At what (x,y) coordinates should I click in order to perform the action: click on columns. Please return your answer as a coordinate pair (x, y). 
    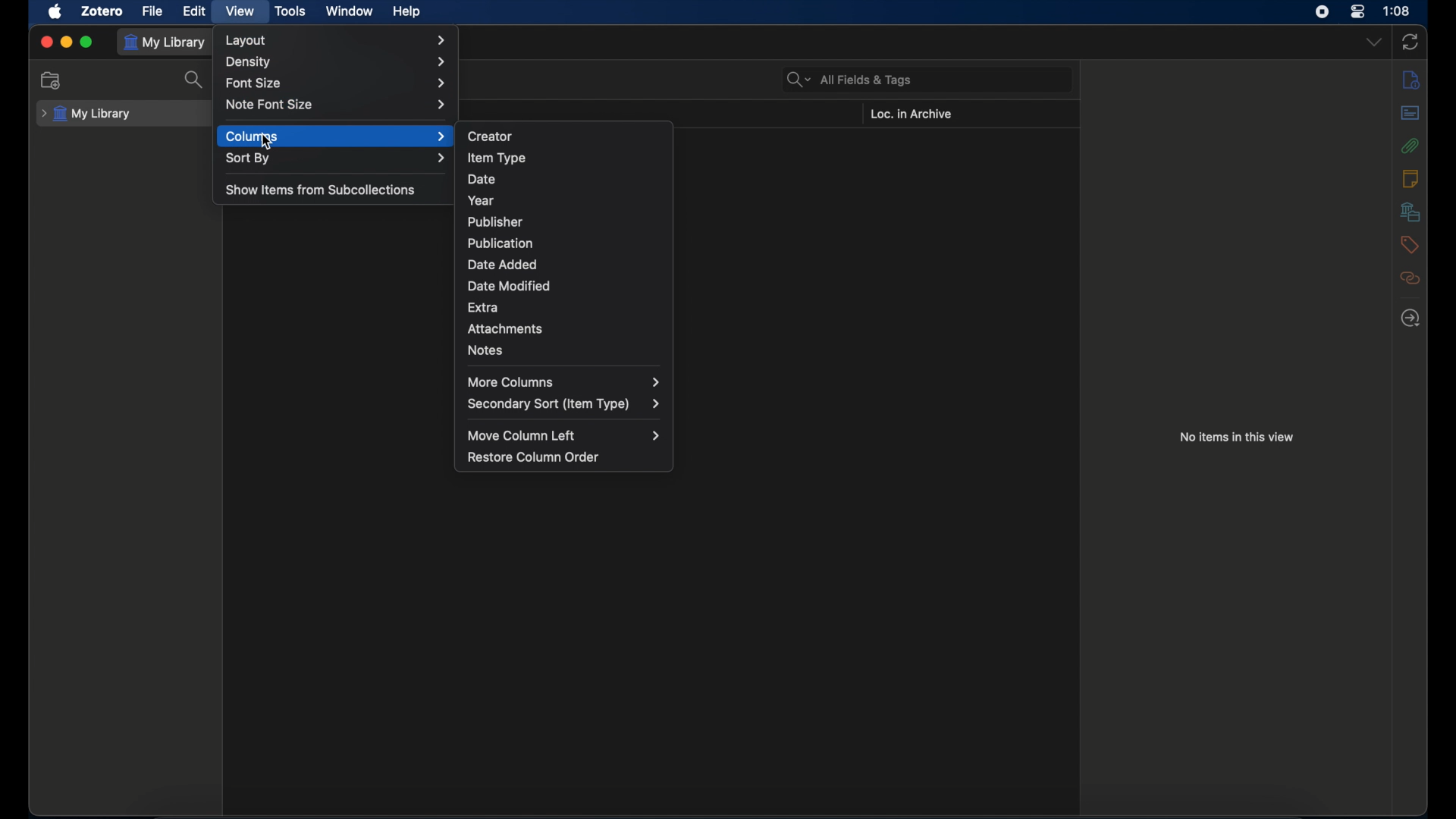
    Looking at the image, I should click on (336, 136).